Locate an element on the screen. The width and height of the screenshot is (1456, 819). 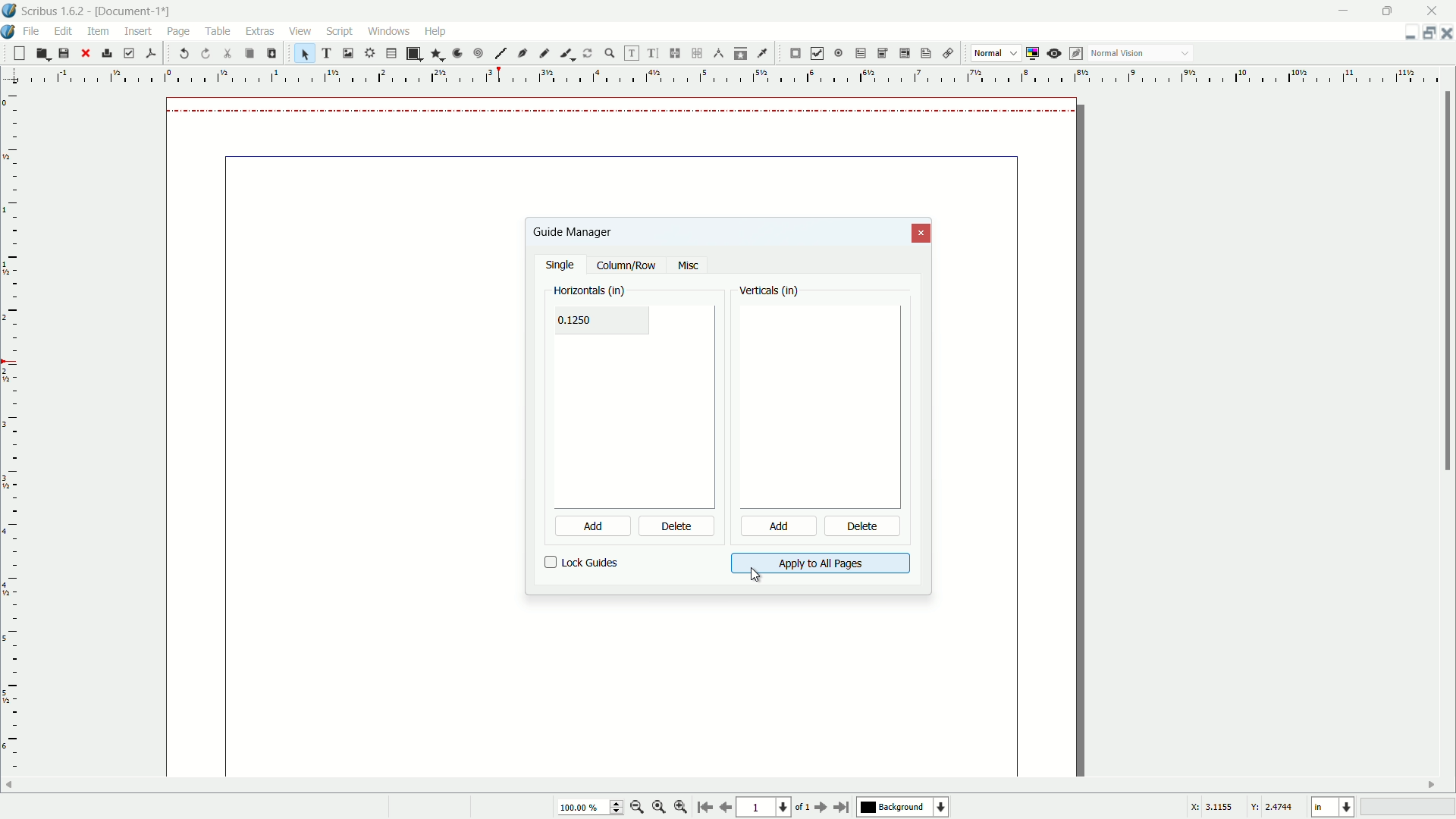
delete is located at coordinates (677, 527).